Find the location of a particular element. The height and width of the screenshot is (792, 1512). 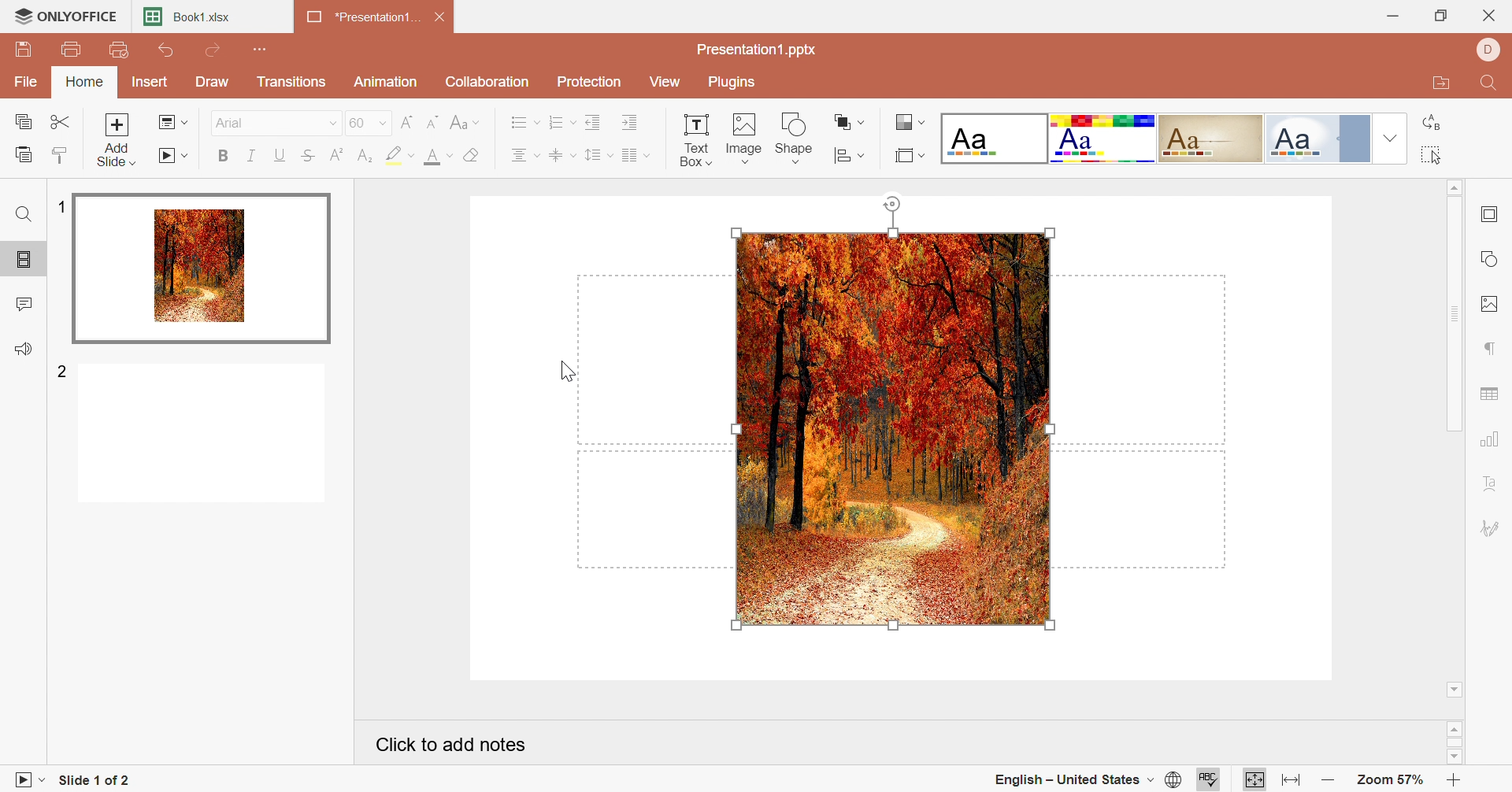

File is located at coordinates (29, 80).